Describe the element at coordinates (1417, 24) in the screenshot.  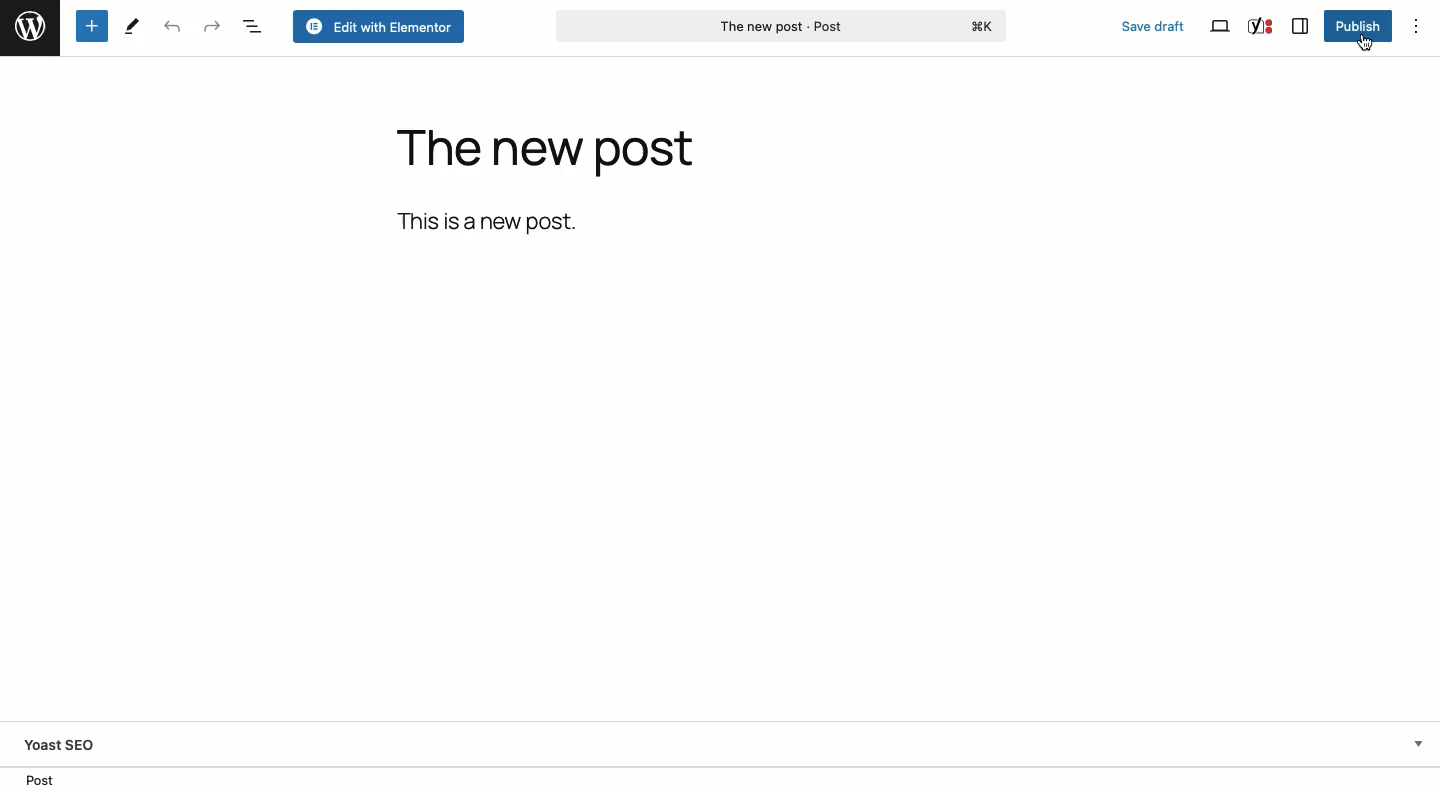
I see `Options` at that location.